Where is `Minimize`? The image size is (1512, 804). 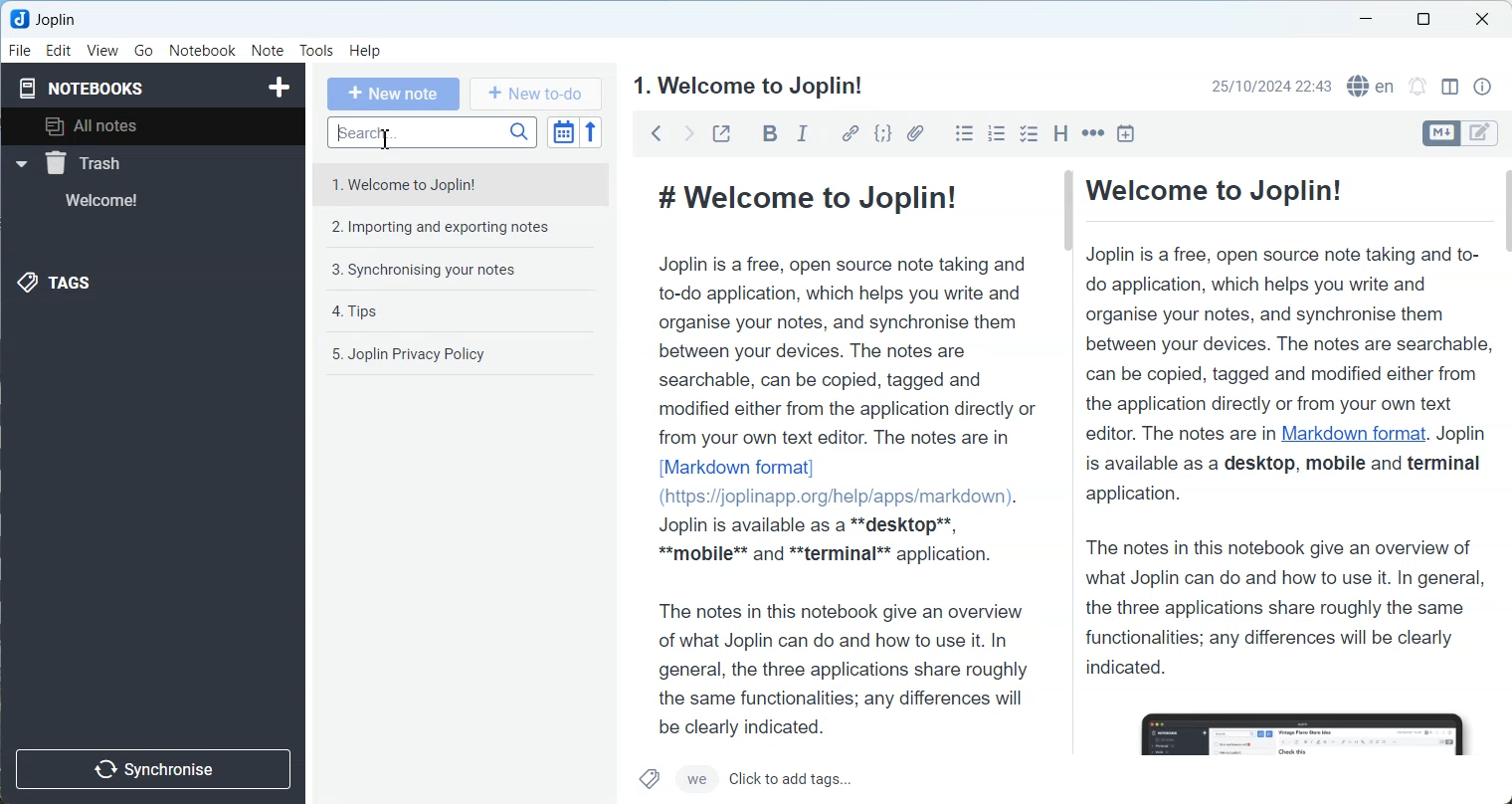 Minimize is located at coordinates (1365, 19).